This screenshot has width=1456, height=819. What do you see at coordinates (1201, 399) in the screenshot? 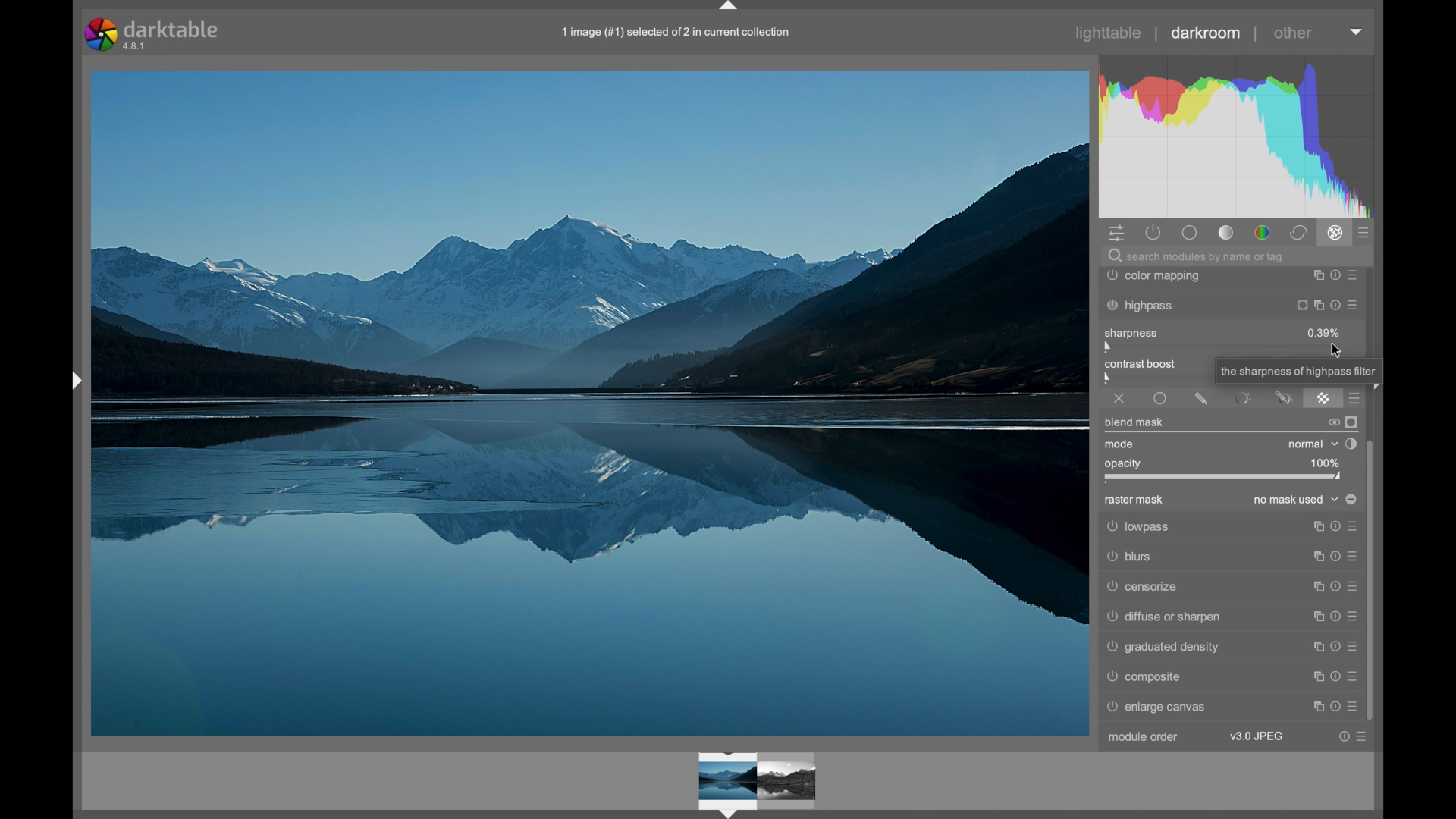
I see `drawn mask` at bounding box center [1201, 399].